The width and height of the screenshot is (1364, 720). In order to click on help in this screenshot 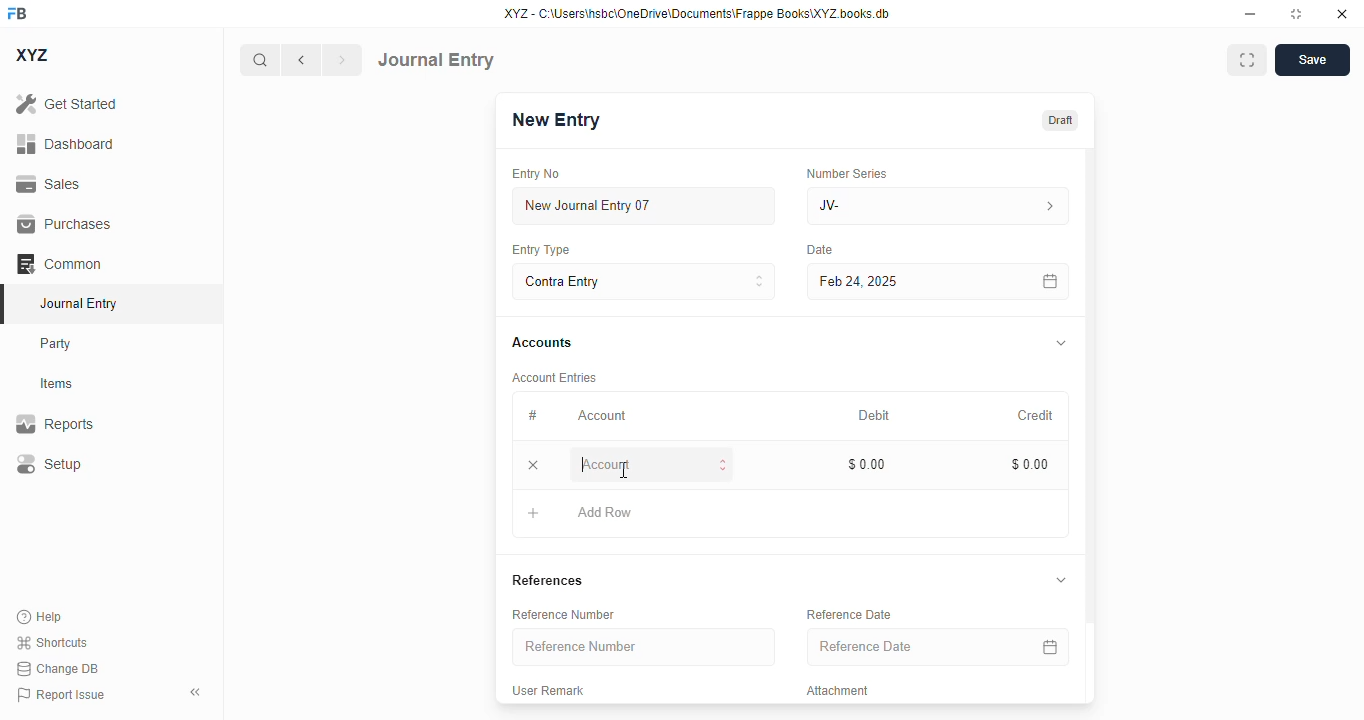, I will do `click(40, 617)`.